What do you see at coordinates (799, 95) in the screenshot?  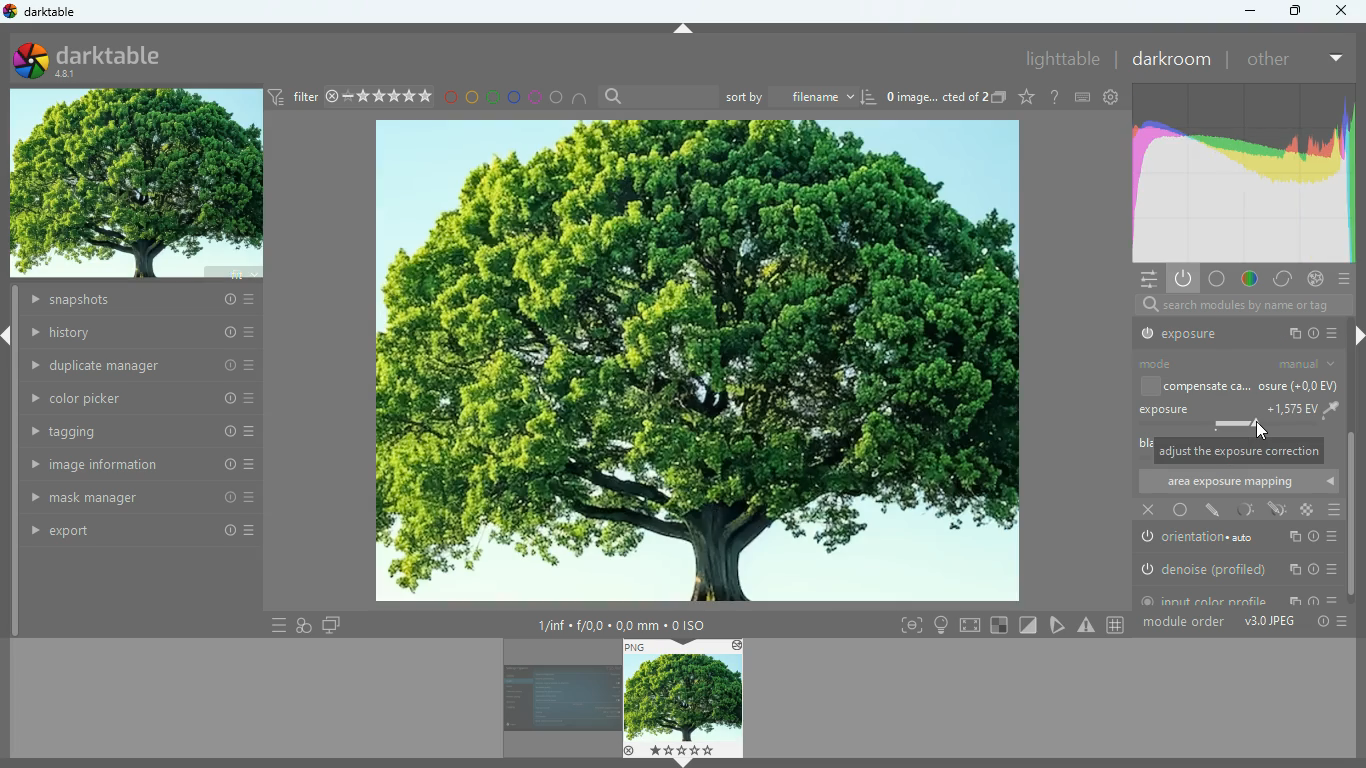 I see `sort by filename` at bounding box center [799, 95].